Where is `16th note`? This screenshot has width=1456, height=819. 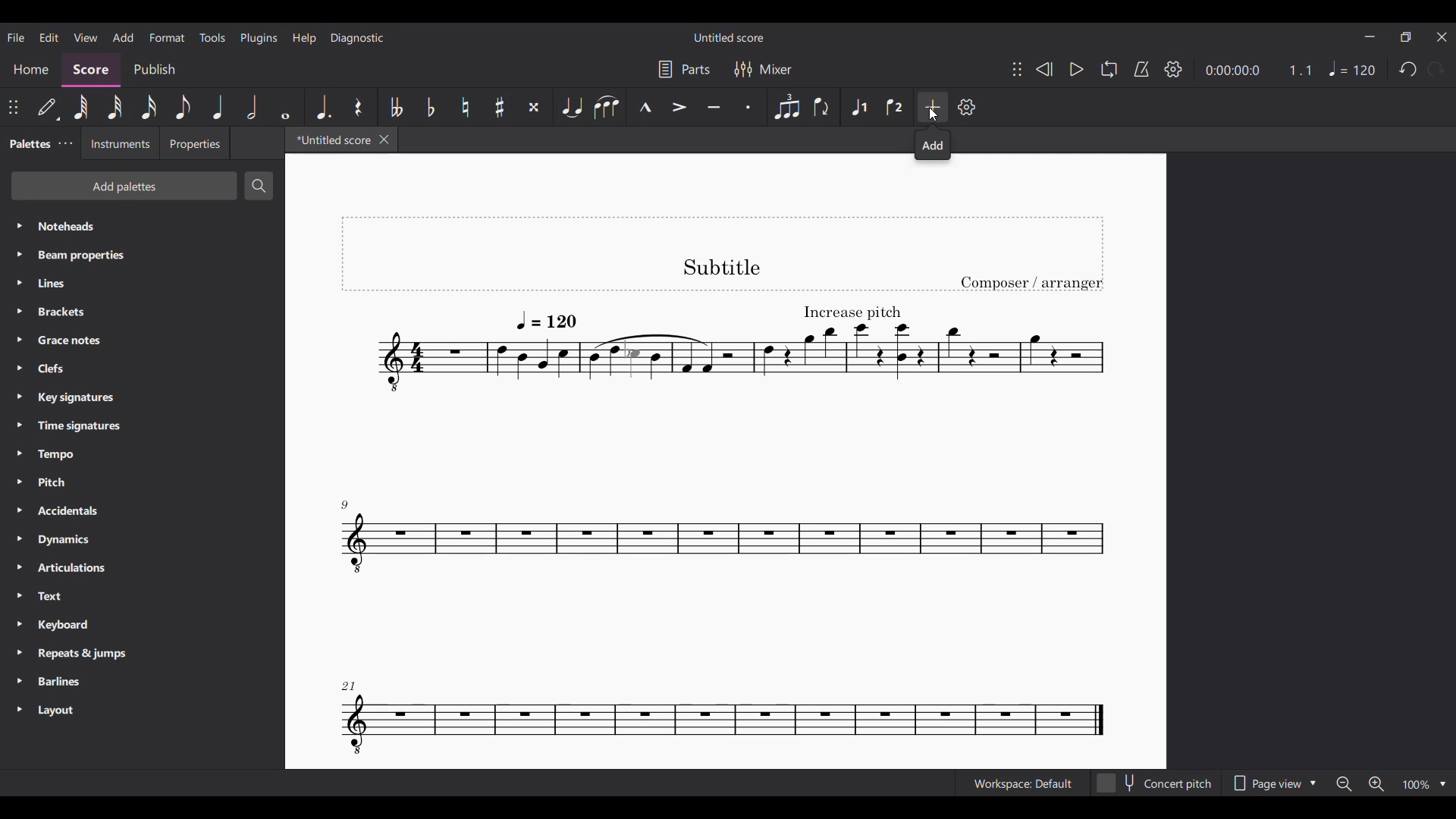 16th note is located at coordinates (149, 107).